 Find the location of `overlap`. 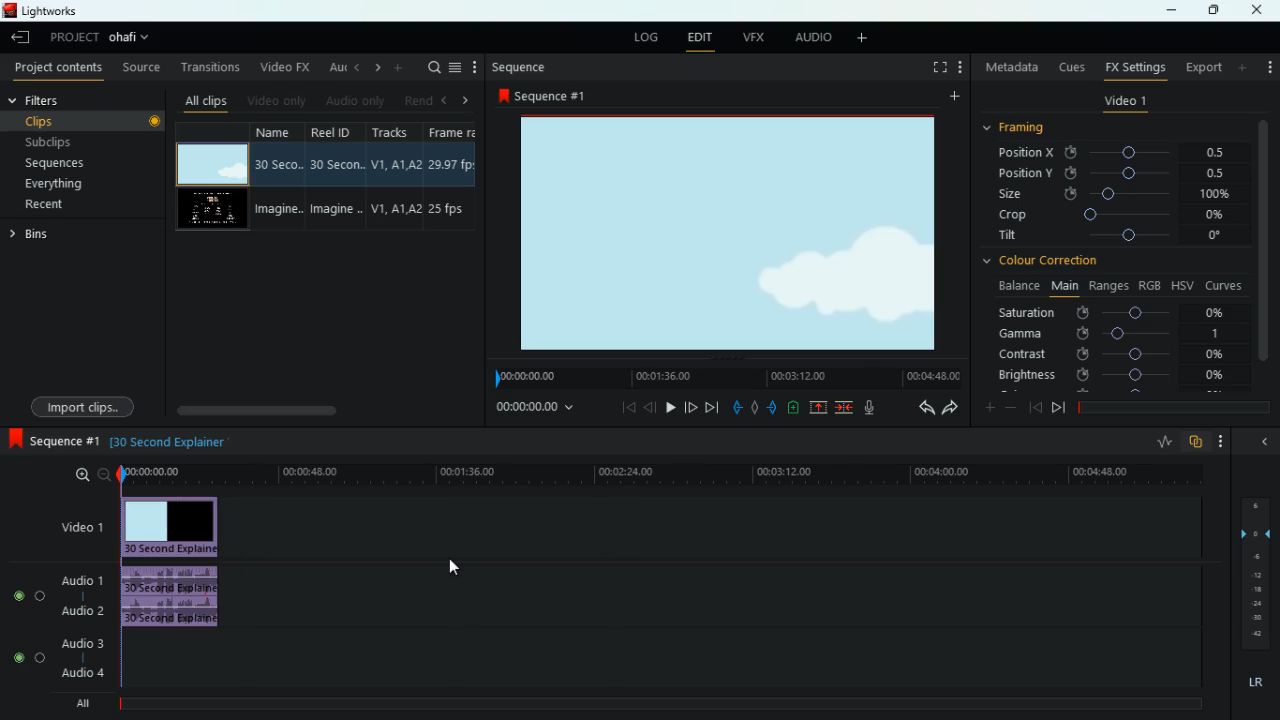

overlap is located at coordinates (1196, 443).